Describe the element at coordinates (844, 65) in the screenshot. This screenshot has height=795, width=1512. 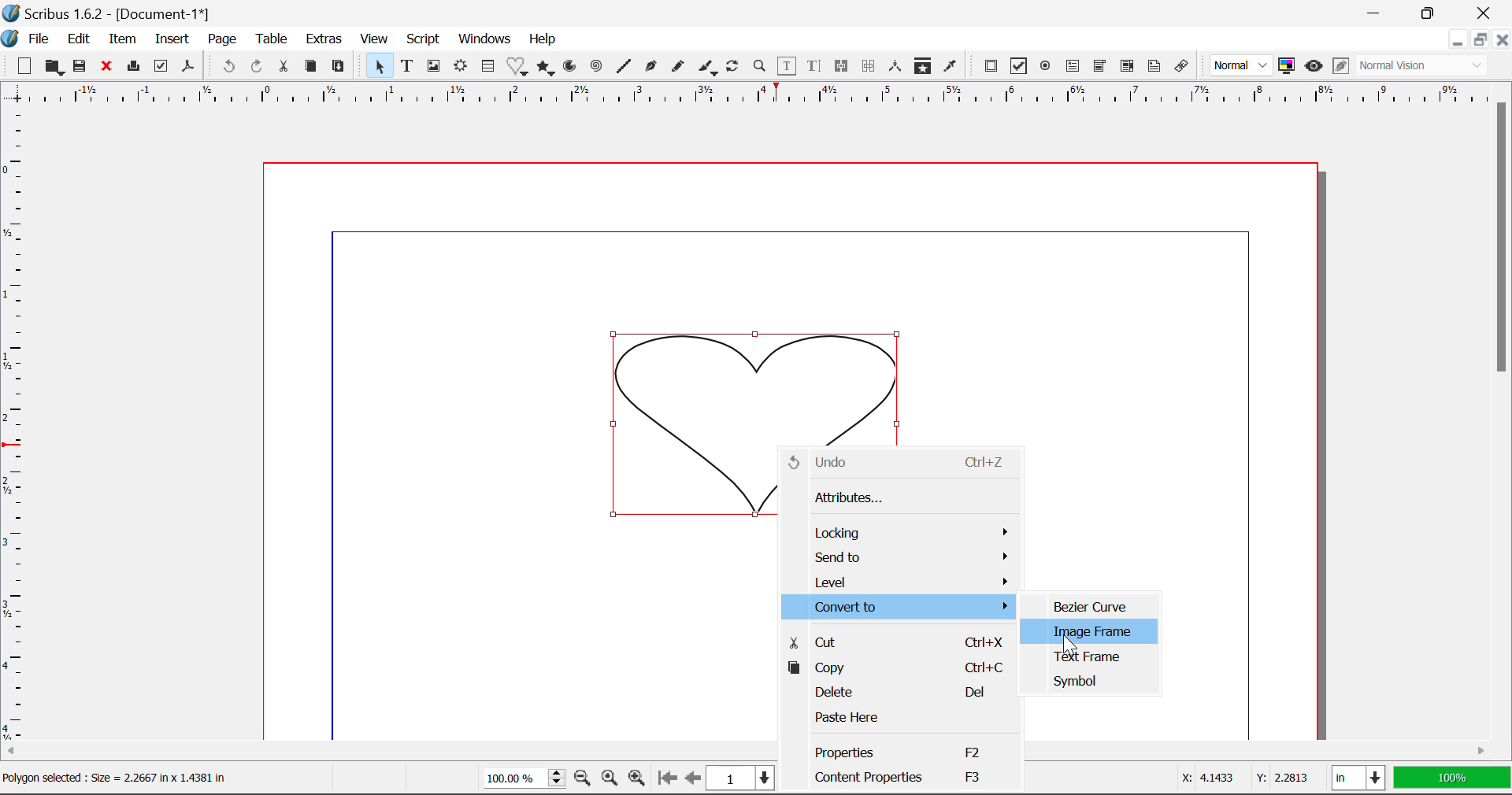
I see `Link Text Frames` at that location.